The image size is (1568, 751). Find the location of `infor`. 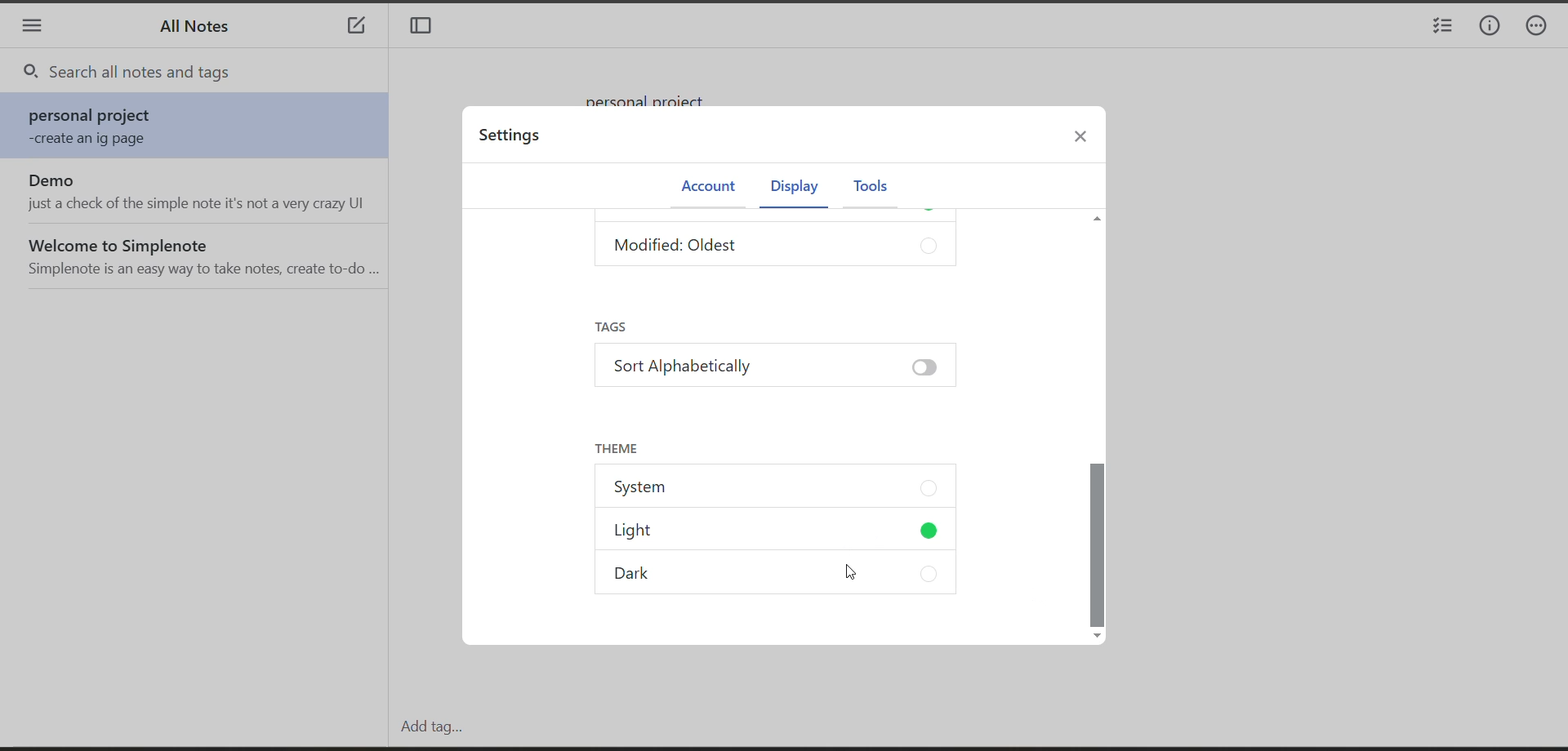

infor is located at coordinates (1490, 27).